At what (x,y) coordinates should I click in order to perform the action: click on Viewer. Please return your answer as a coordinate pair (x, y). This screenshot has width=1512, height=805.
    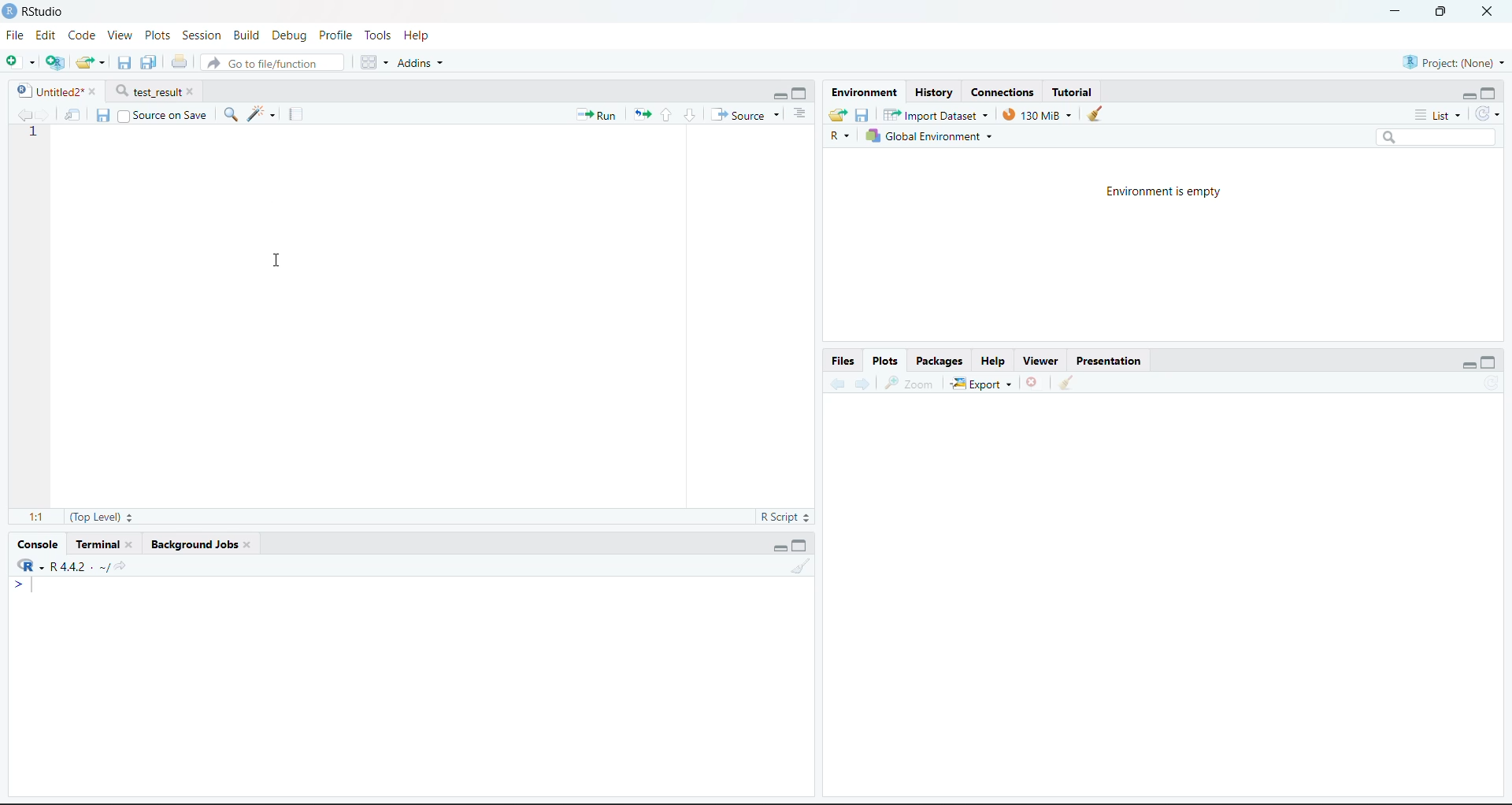
    Looking at the image, I should click on (1039, 357).